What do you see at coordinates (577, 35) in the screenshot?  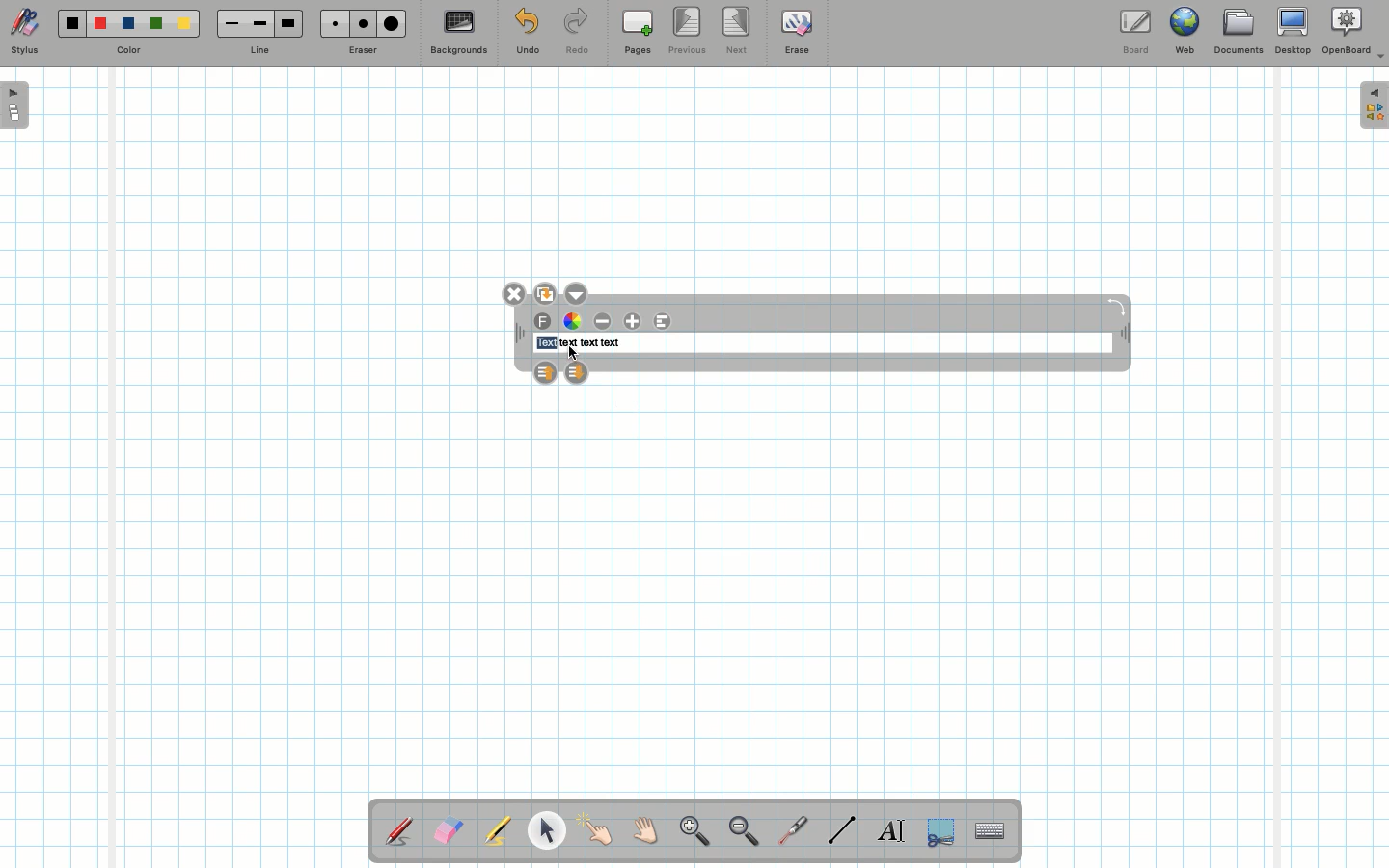 I see `Redo` at bounding box center [577, 35].